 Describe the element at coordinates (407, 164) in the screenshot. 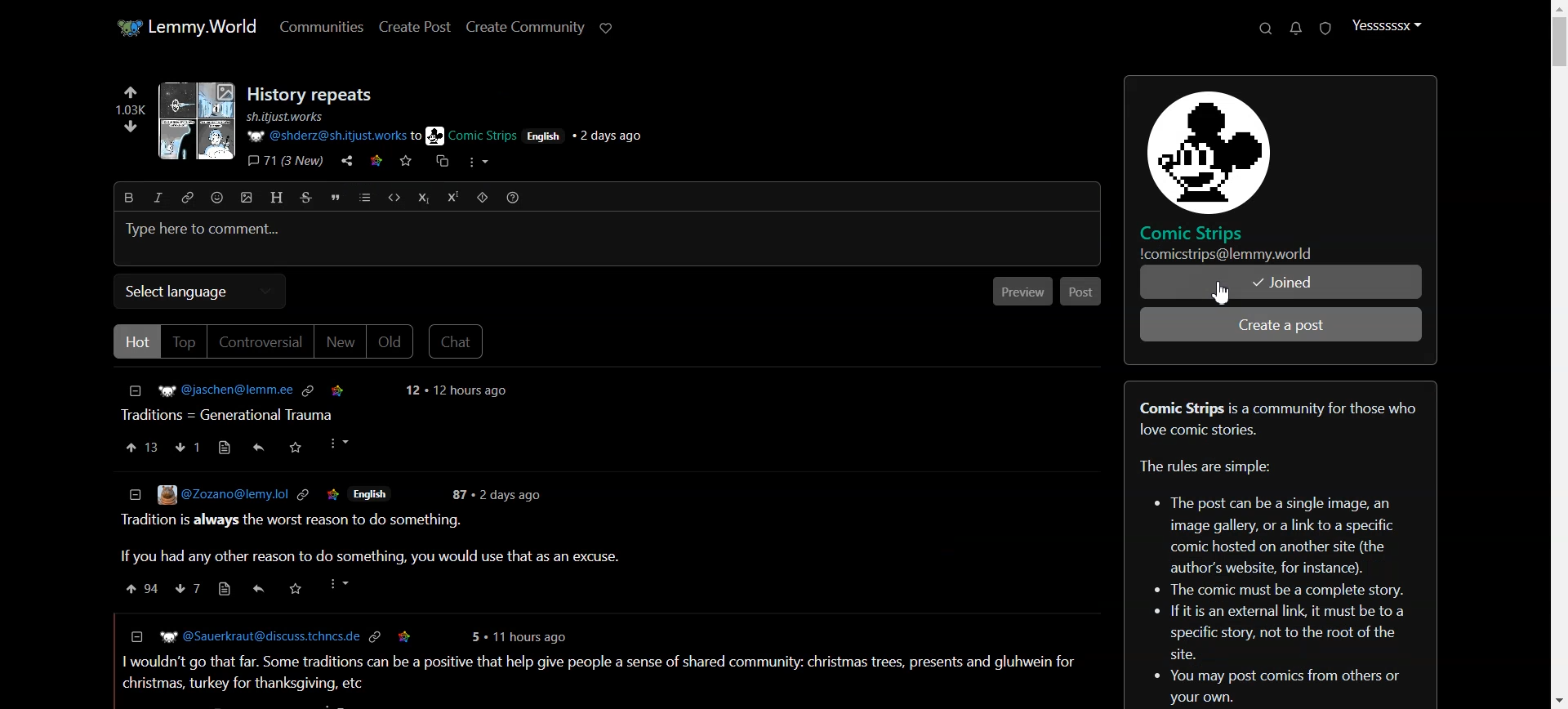

I see `Save` at that location.